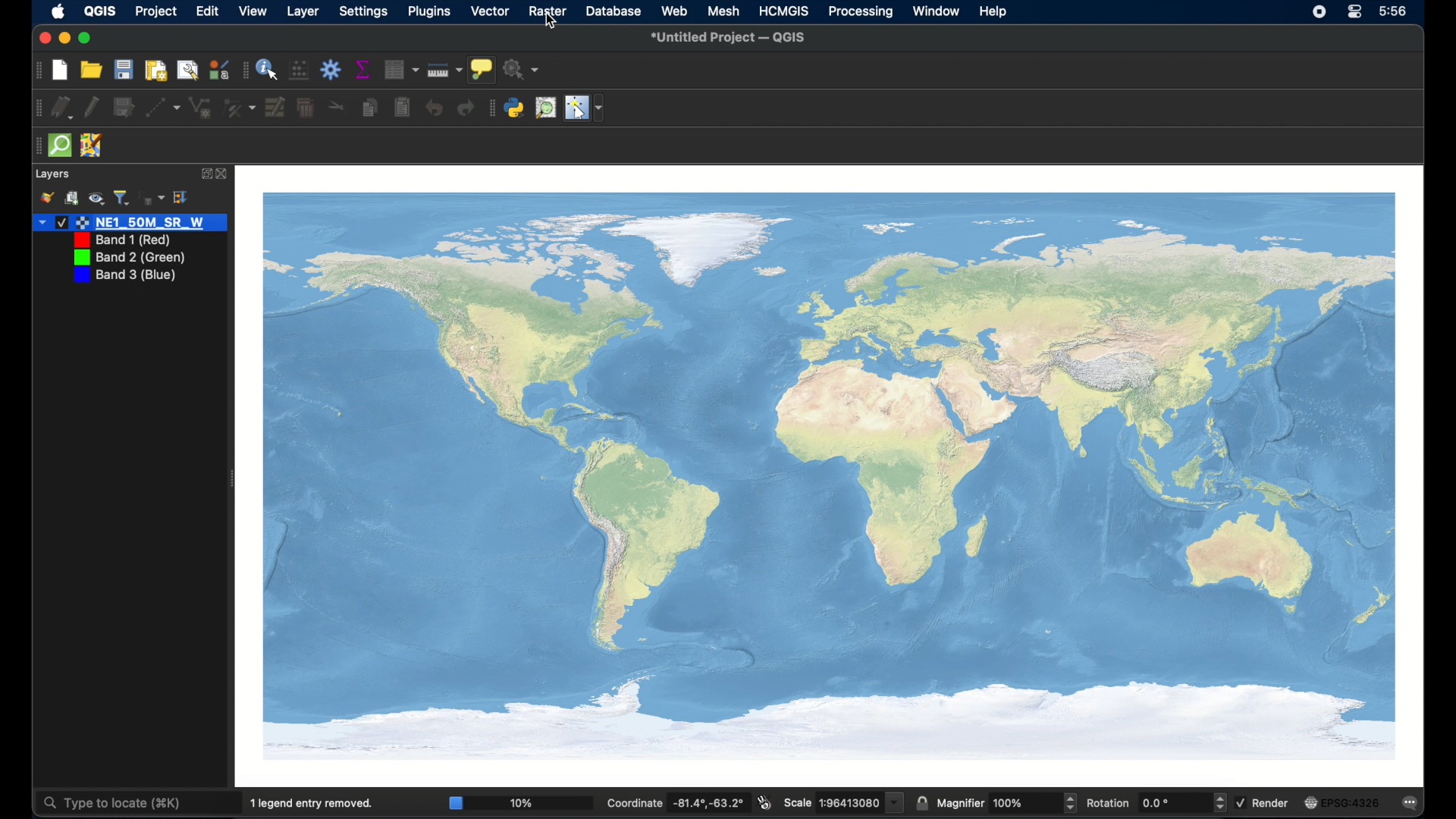 The height and width of the screenshot is (819, 1456). I want to click on time, so click(1393, 11).